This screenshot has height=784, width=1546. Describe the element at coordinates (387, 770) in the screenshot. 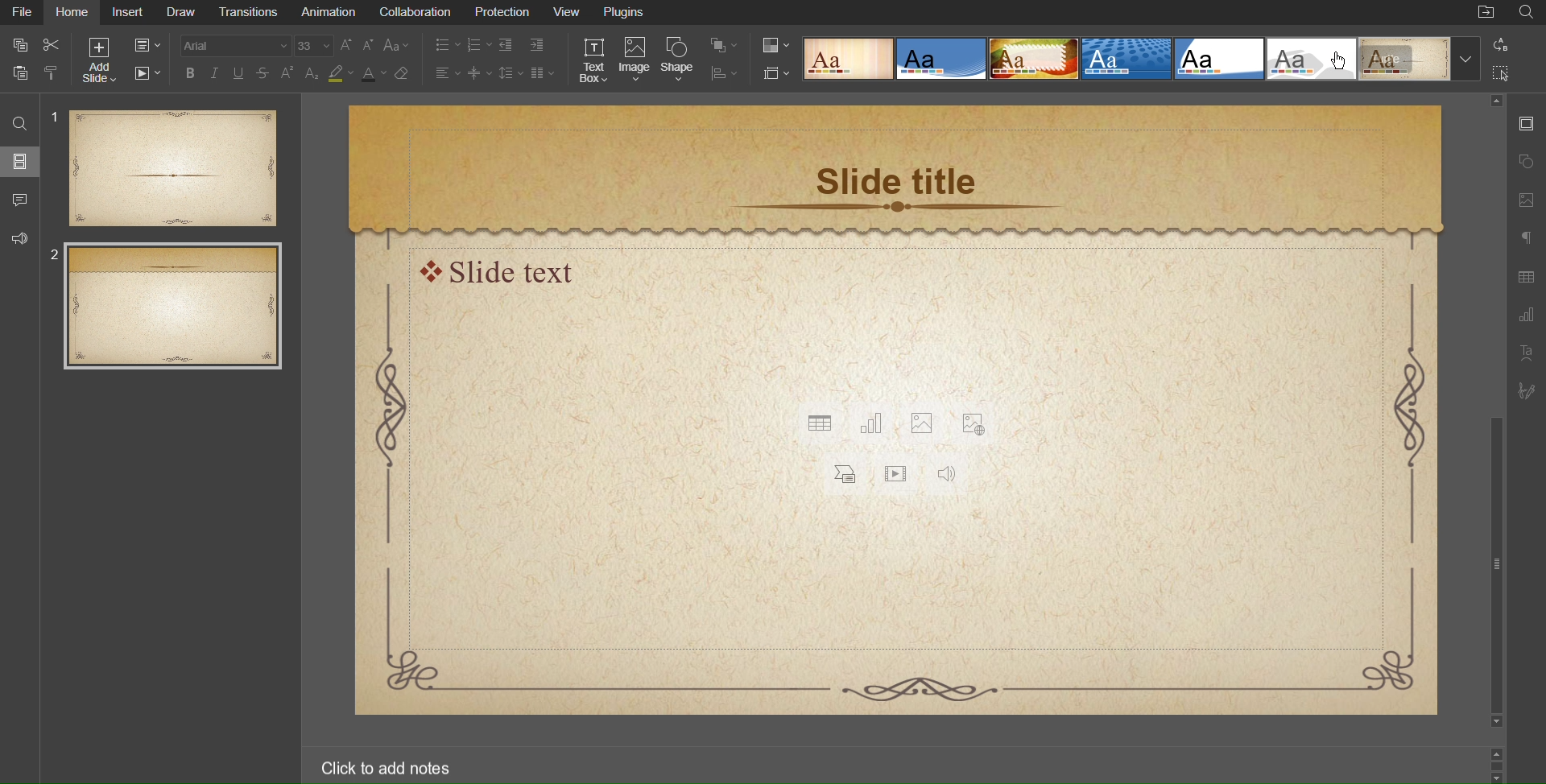

I see `Click to add notes` at that location.